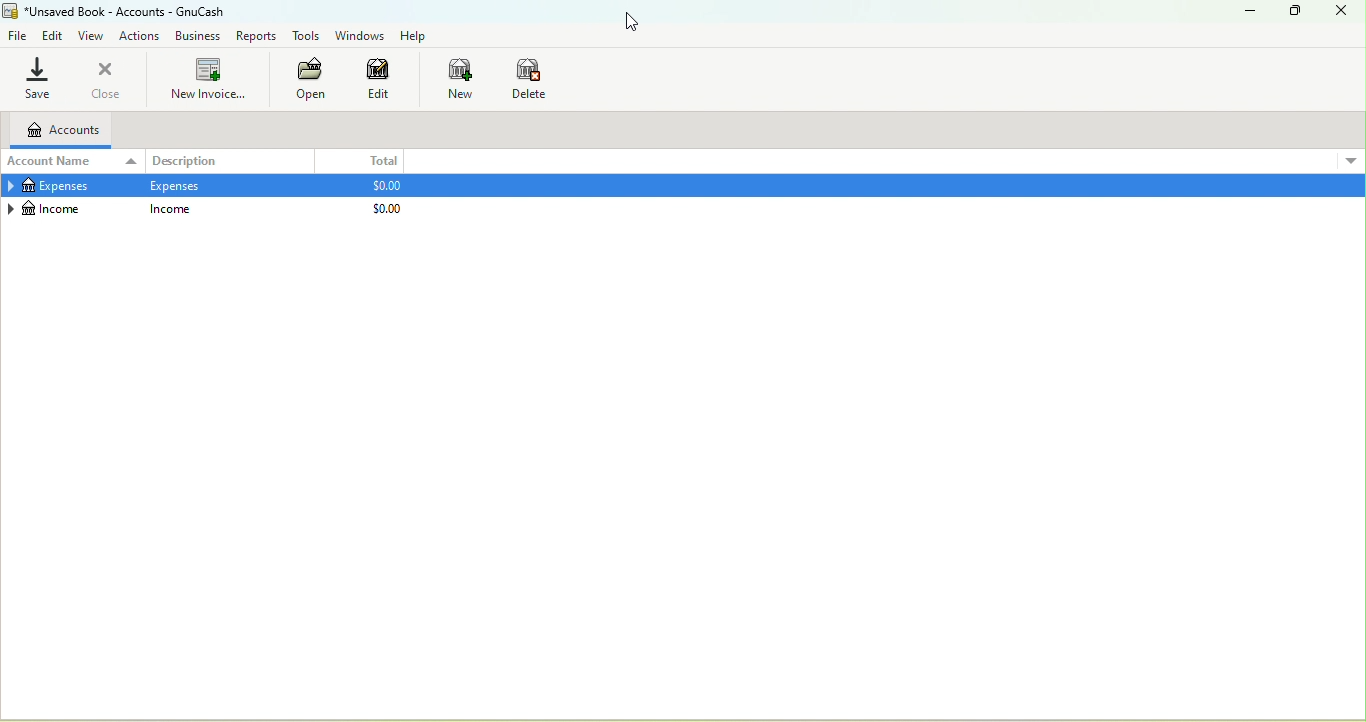  I want to click on account name, so click(73, 163).